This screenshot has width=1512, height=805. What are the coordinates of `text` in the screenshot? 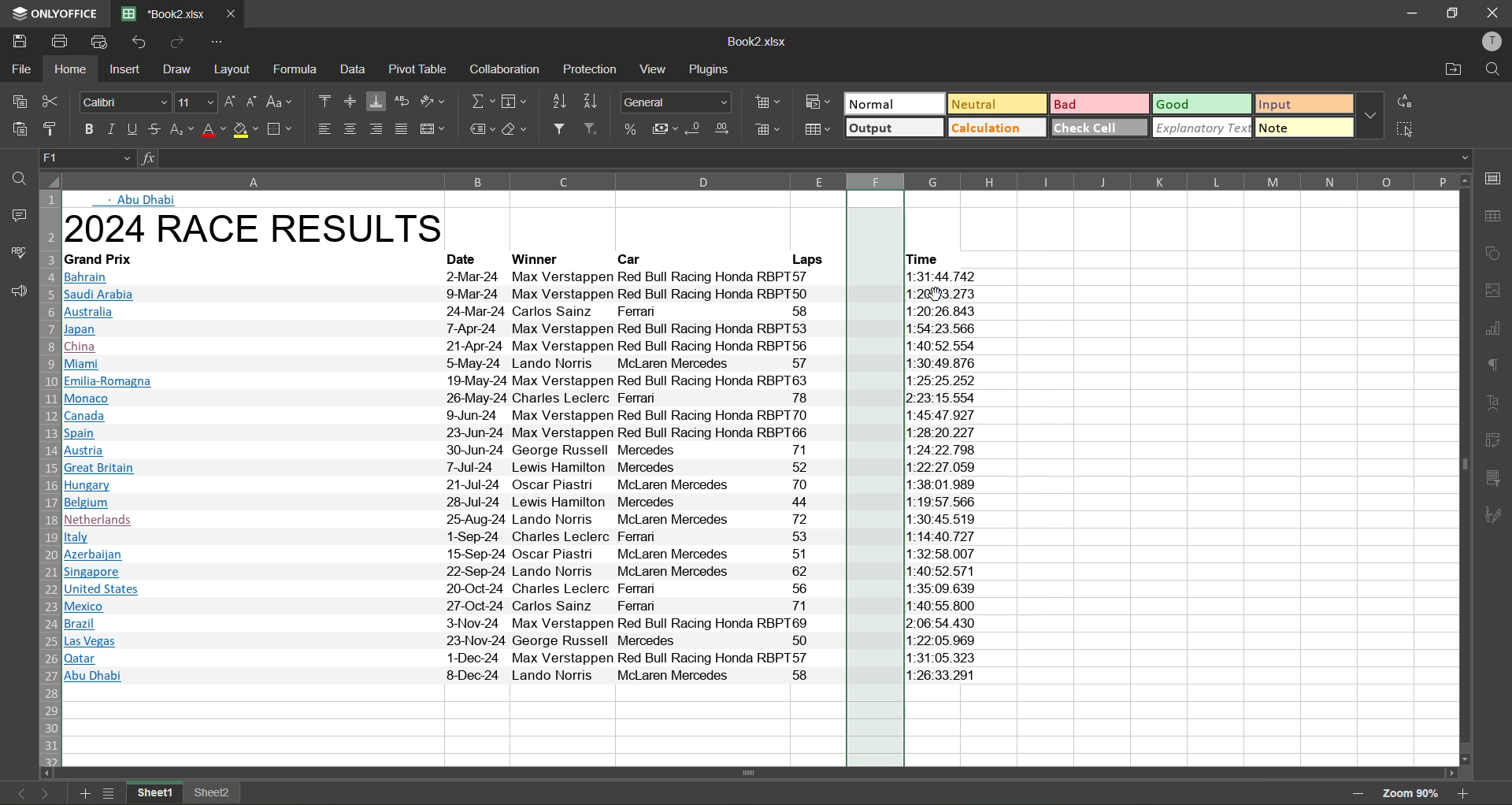 It's located at (1497, 403).